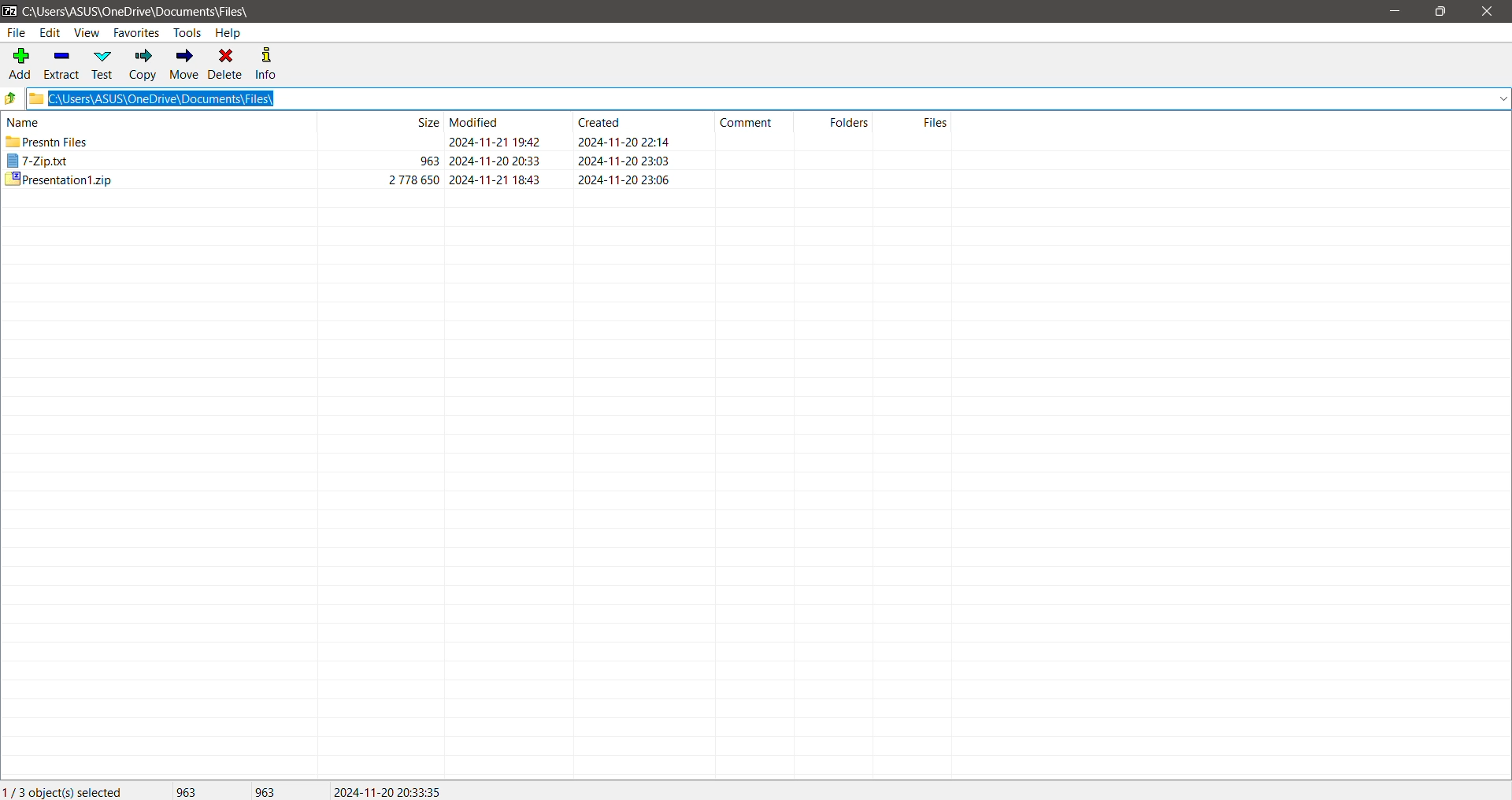 This screenshot has width=1512, height=800. Describe the element at coordinates (187, 790) in the screenshot. I see `Total Size of selected file(s)` at that location.